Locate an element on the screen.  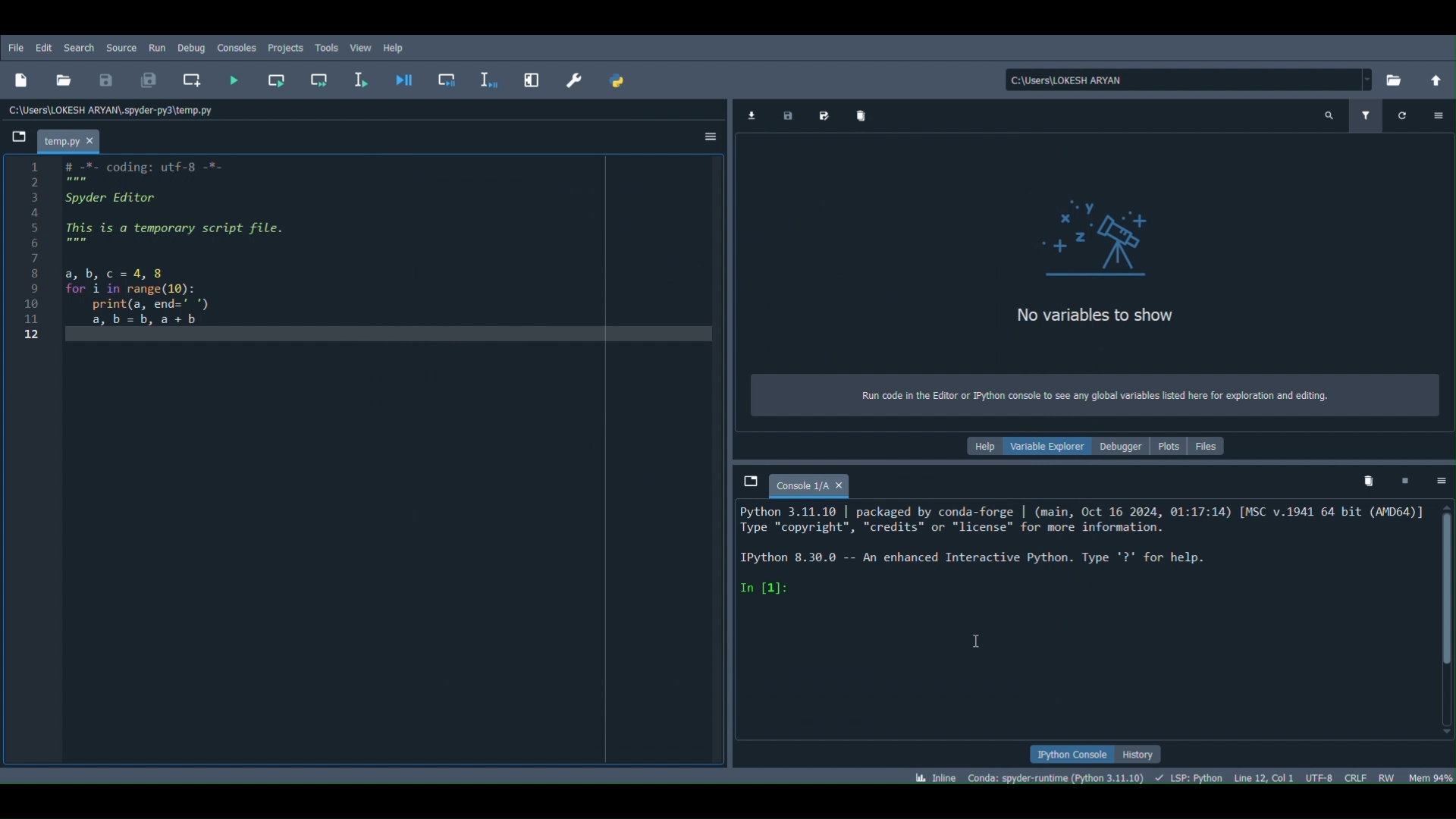
IPython console is located at coordinates (1073, 756).